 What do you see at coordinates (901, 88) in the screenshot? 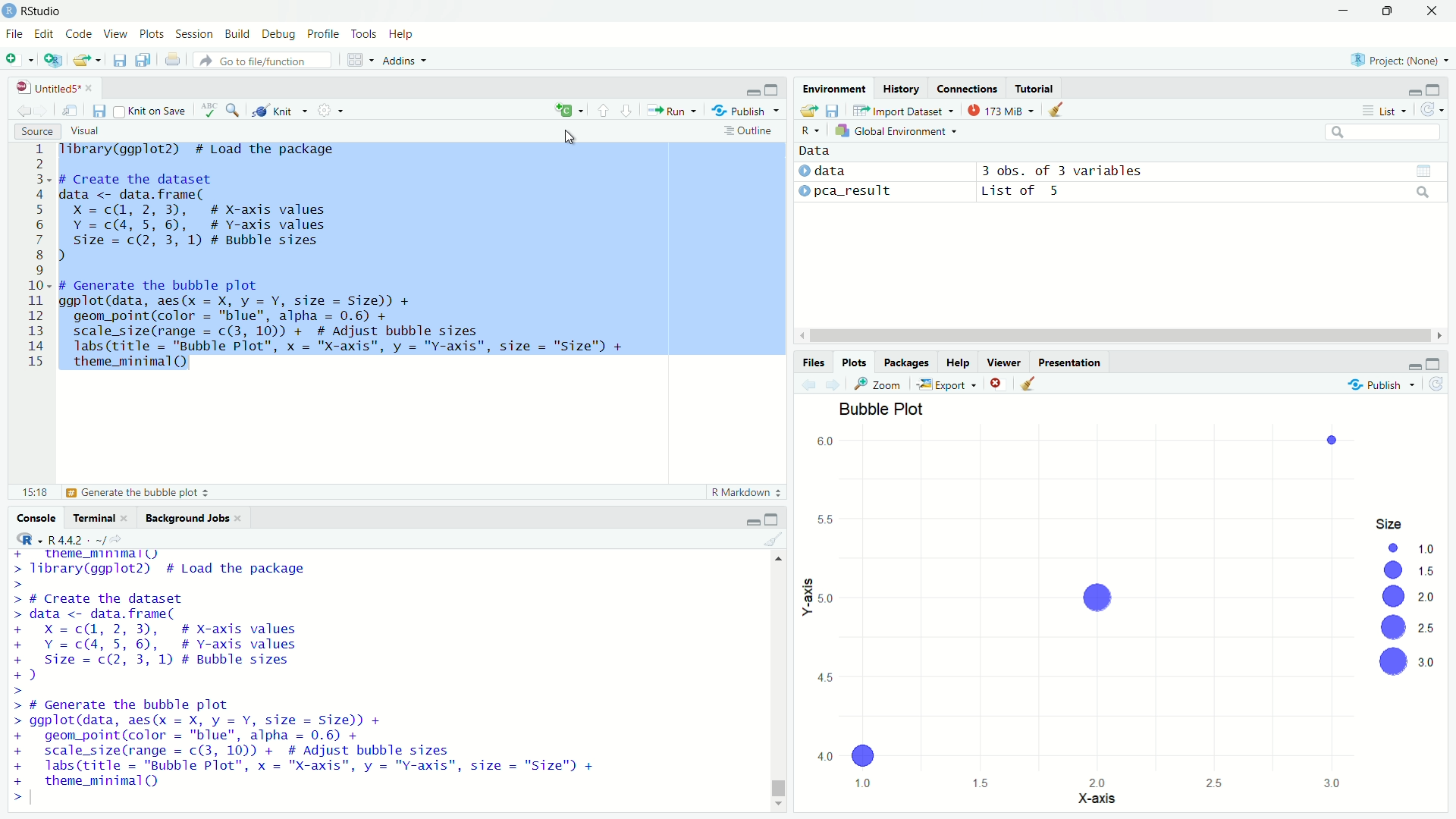
I see `history` at bounding box center [901, 88].